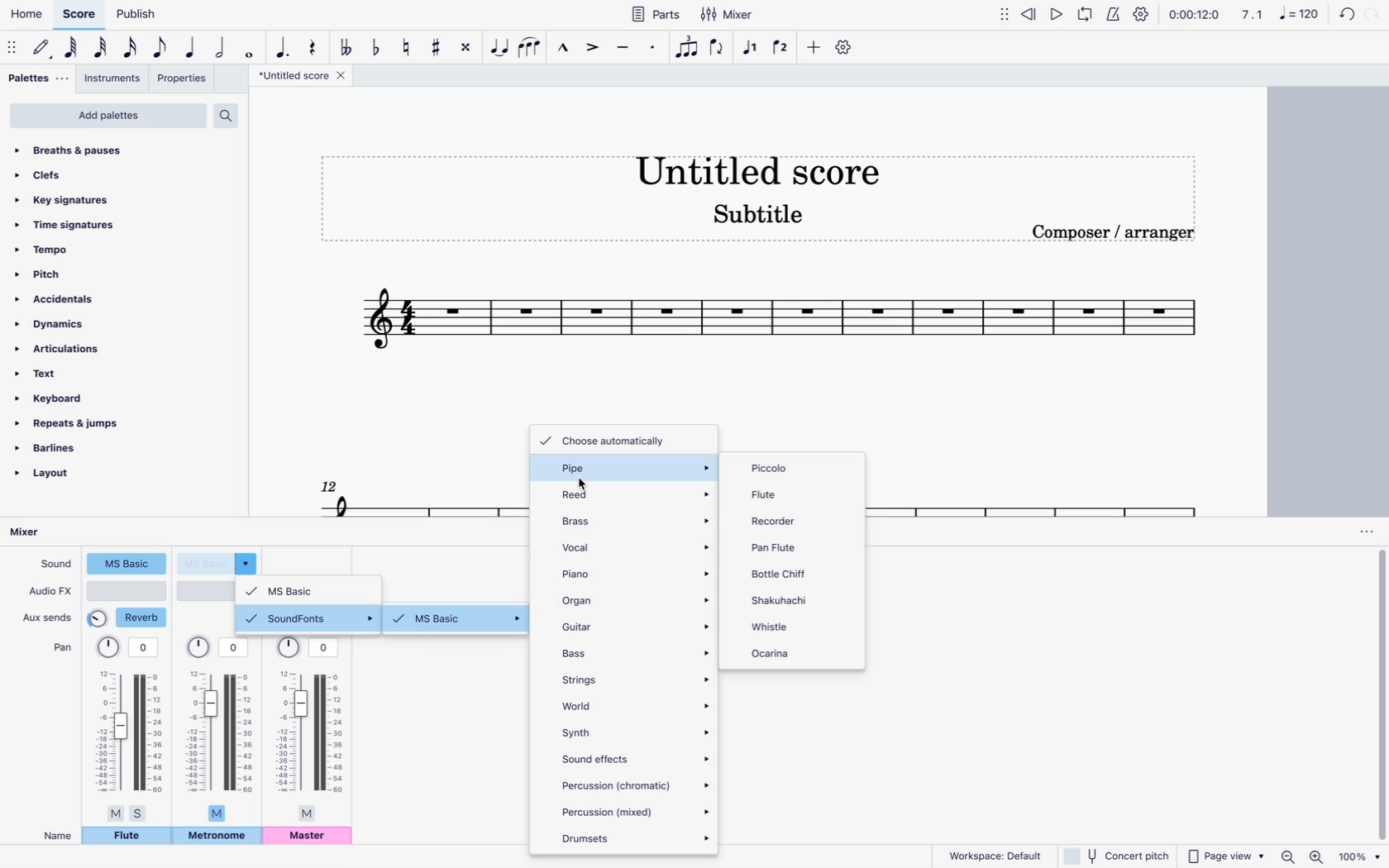  Describe the element at coordinates (1124, 236) in the screenshot. I see `composer / arranger` at that location.